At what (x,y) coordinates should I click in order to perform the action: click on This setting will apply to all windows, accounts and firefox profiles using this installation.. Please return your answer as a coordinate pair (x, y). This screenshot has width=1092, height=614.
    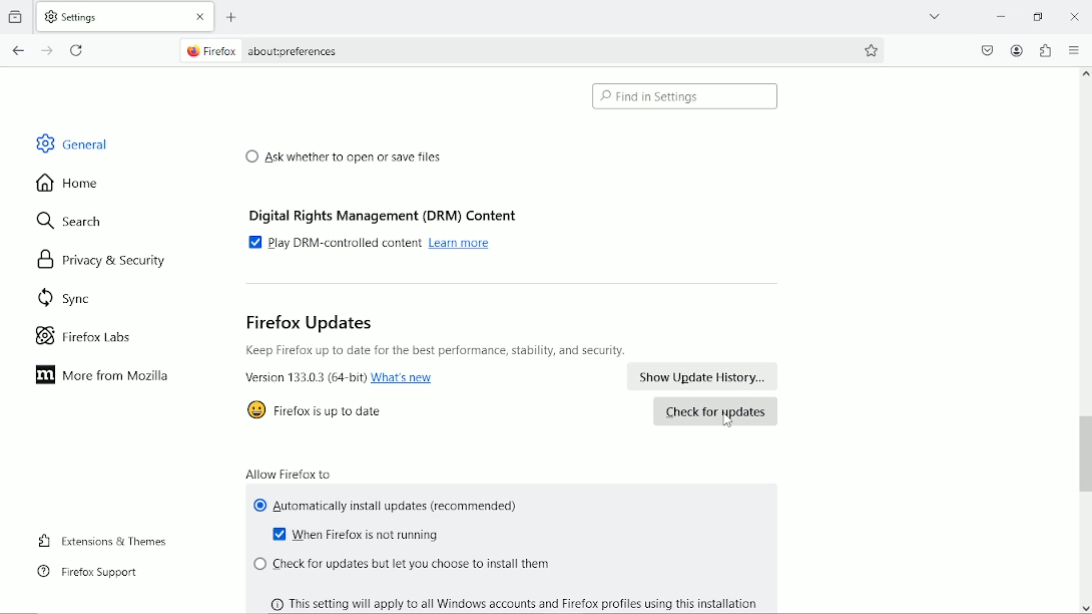
    Looking at the image, I should click on (522, 601).